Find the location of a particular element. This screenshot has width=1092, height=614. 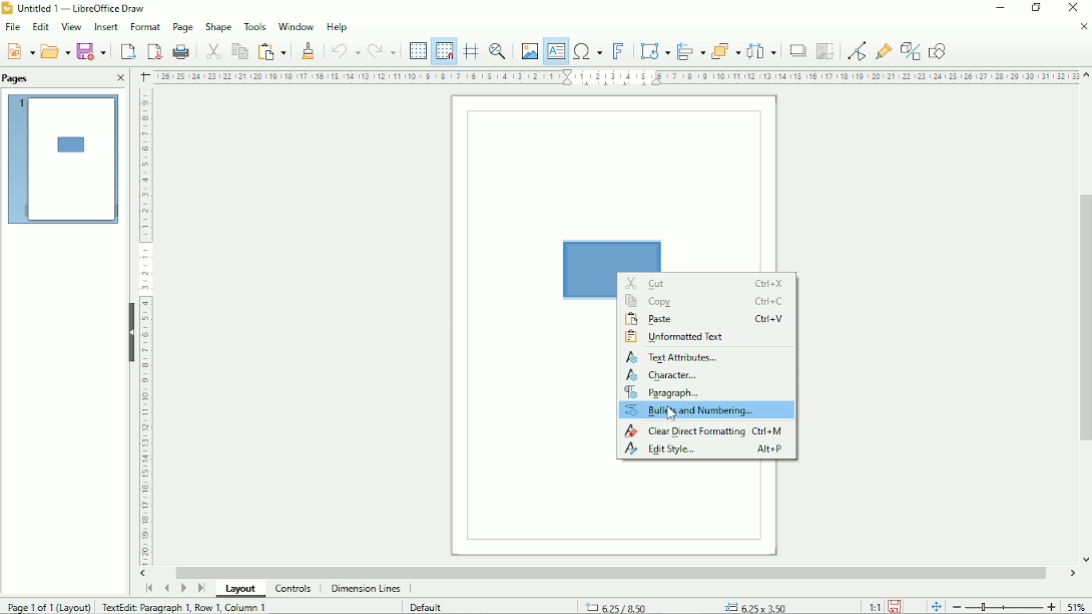

Edit style is located at coordinates (706, 450).